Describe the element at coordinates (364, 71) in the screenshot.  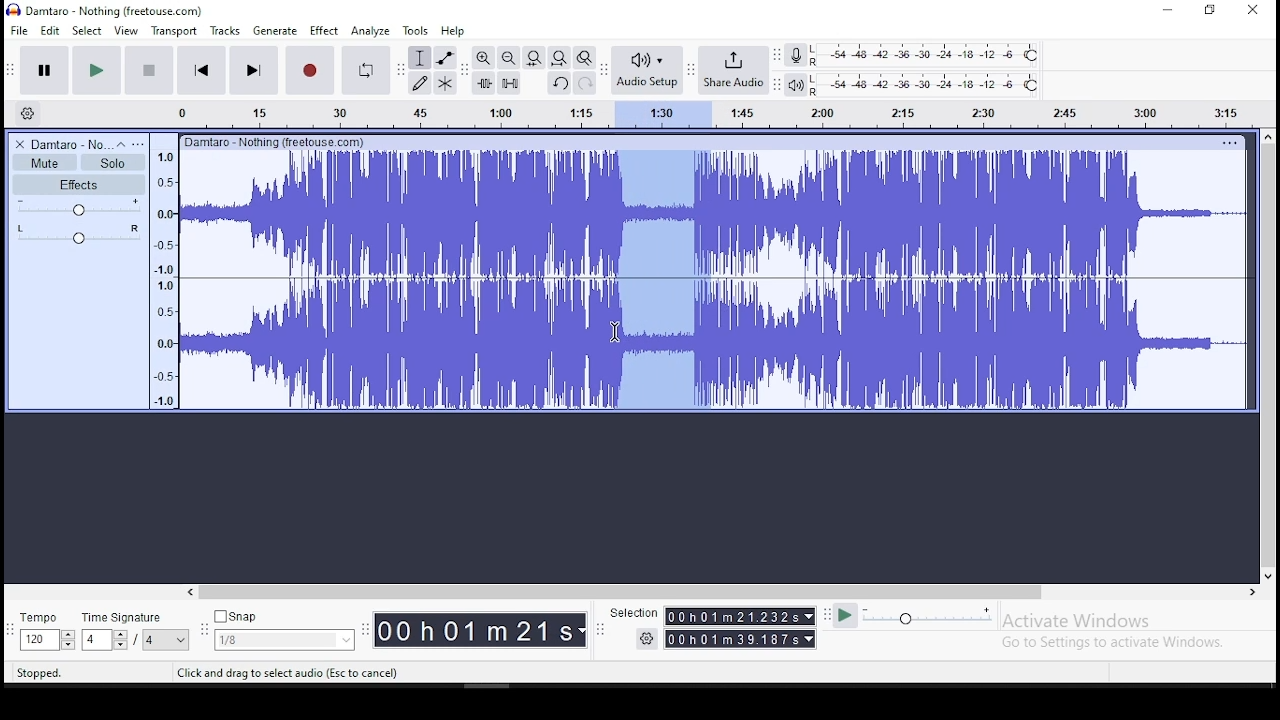
I see `enable looping` at that location.